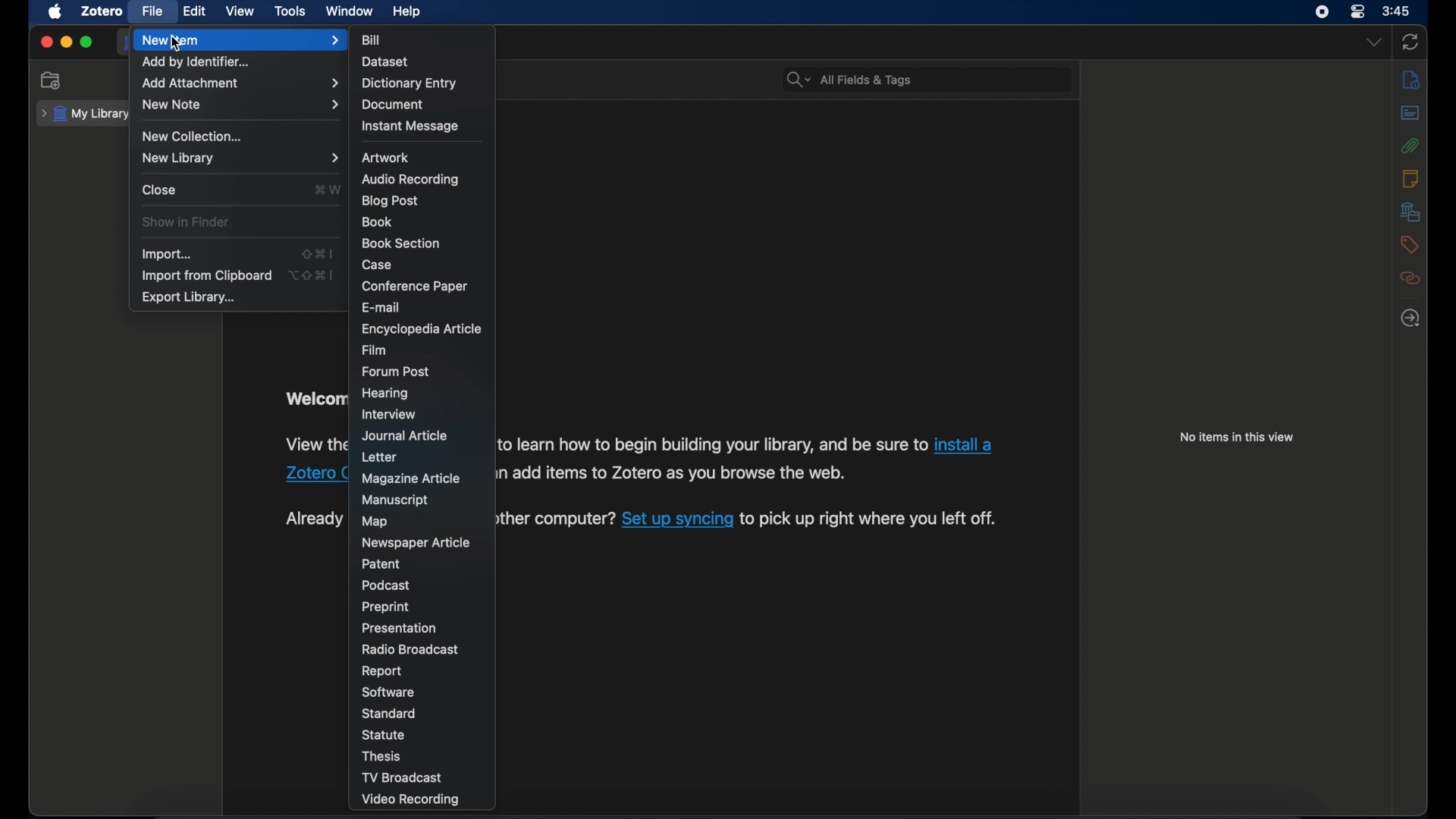  I want to click on syncing instruction, so click(313, 519).